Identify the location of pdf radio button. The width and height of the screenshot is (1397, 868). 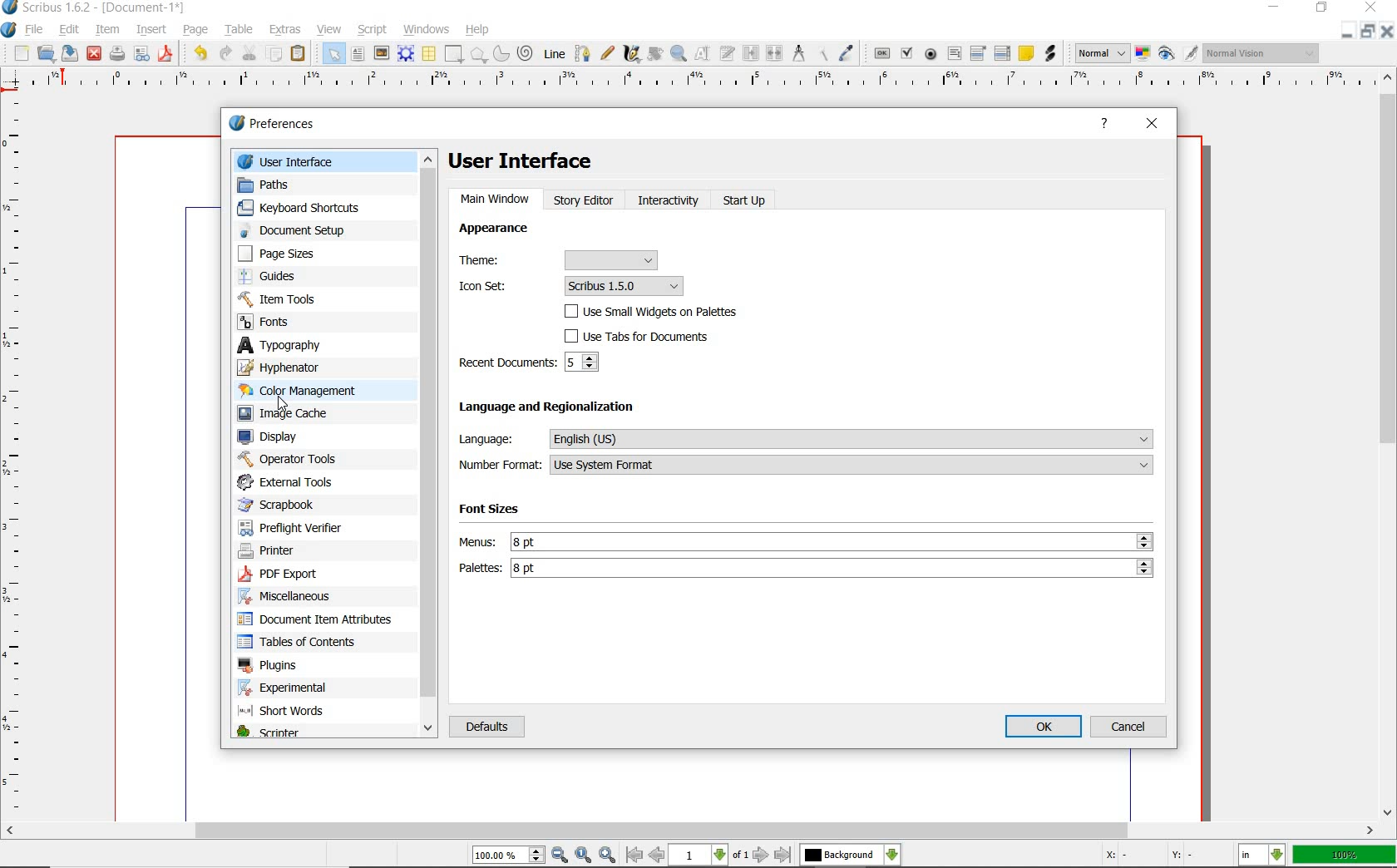
(931, 55).